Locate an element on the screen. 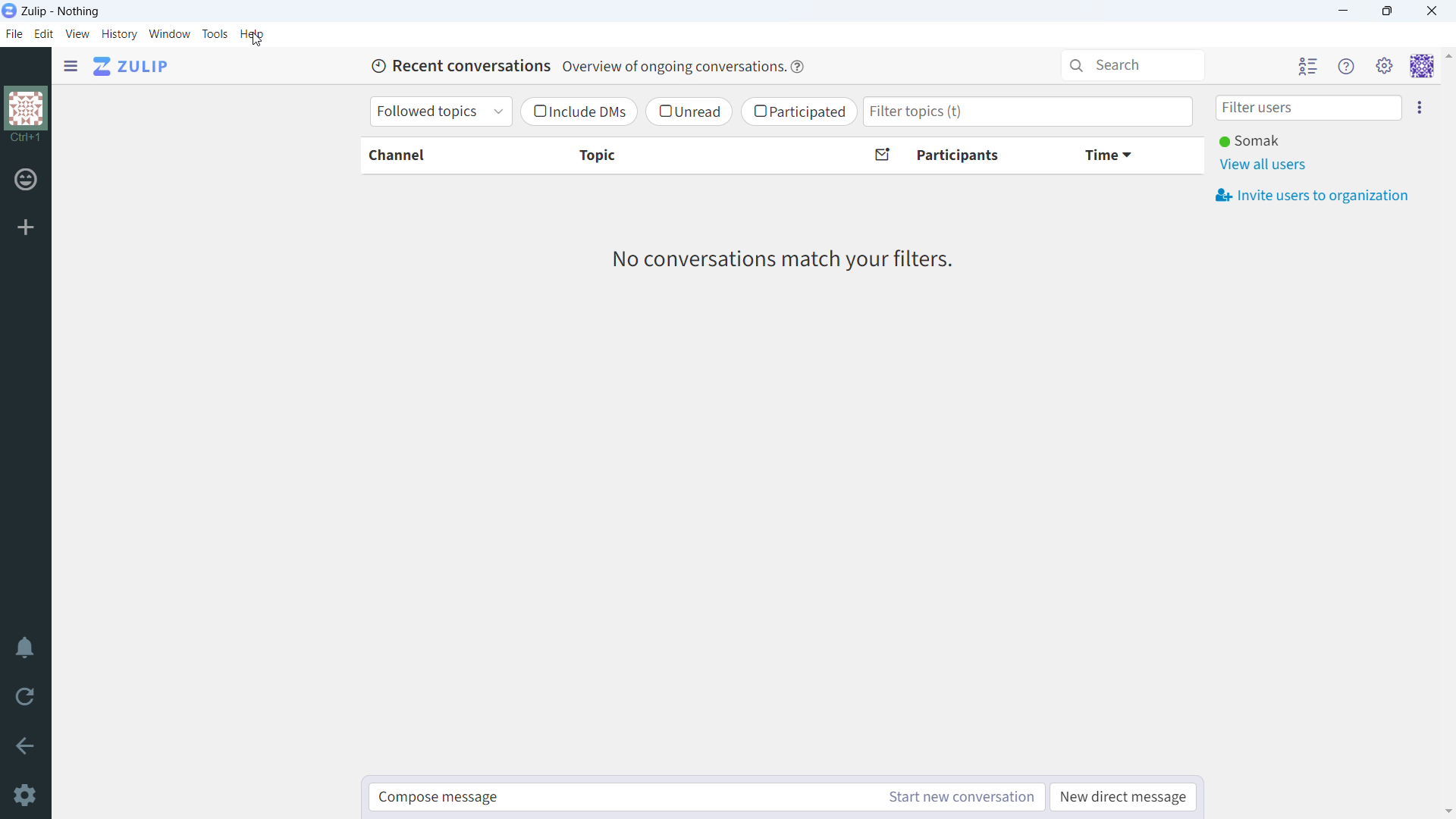  history is located at coordinates (120, 35).